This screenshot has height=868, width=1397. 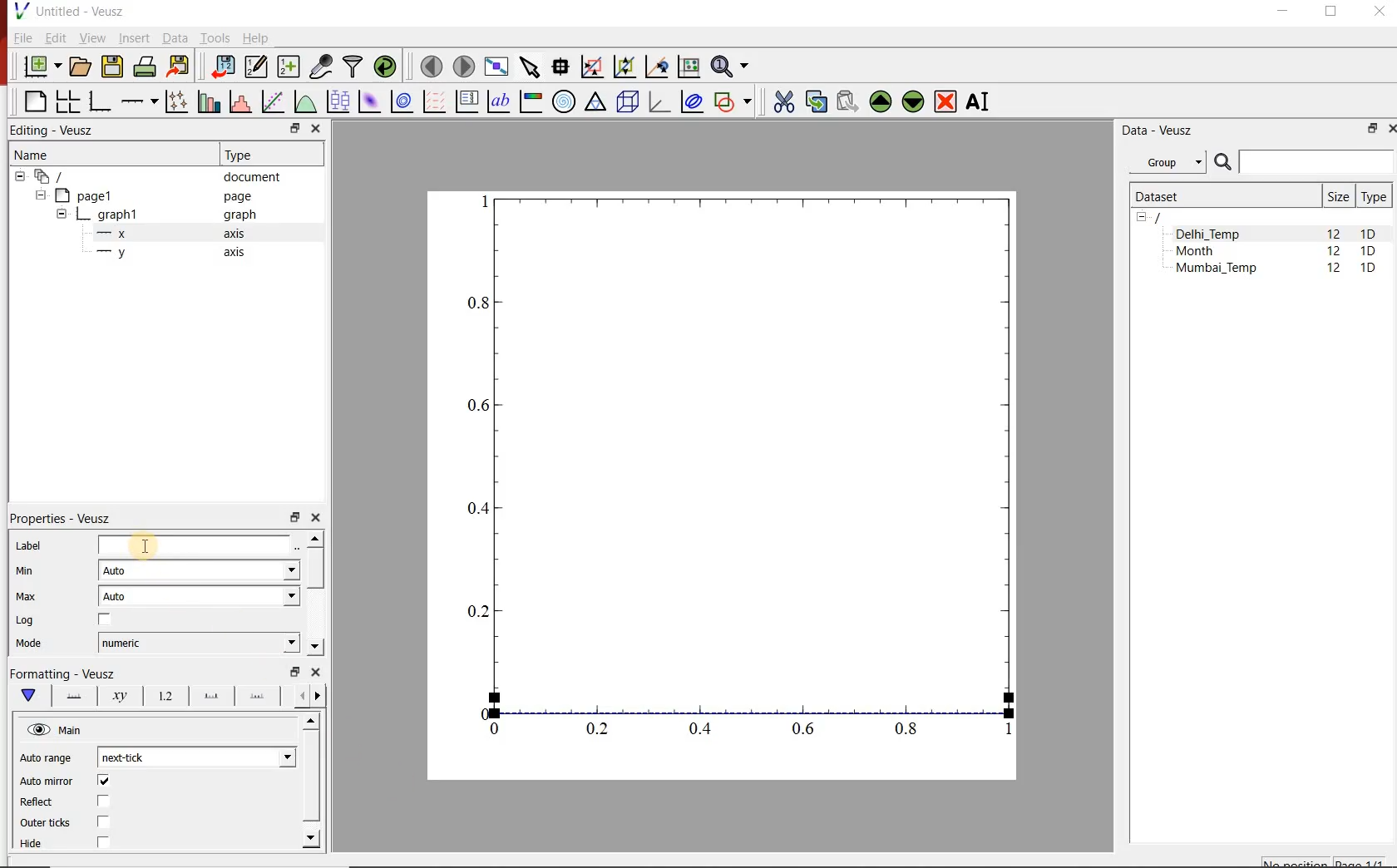 I want to click on move the selected widget up, so click(x=880, y=101).